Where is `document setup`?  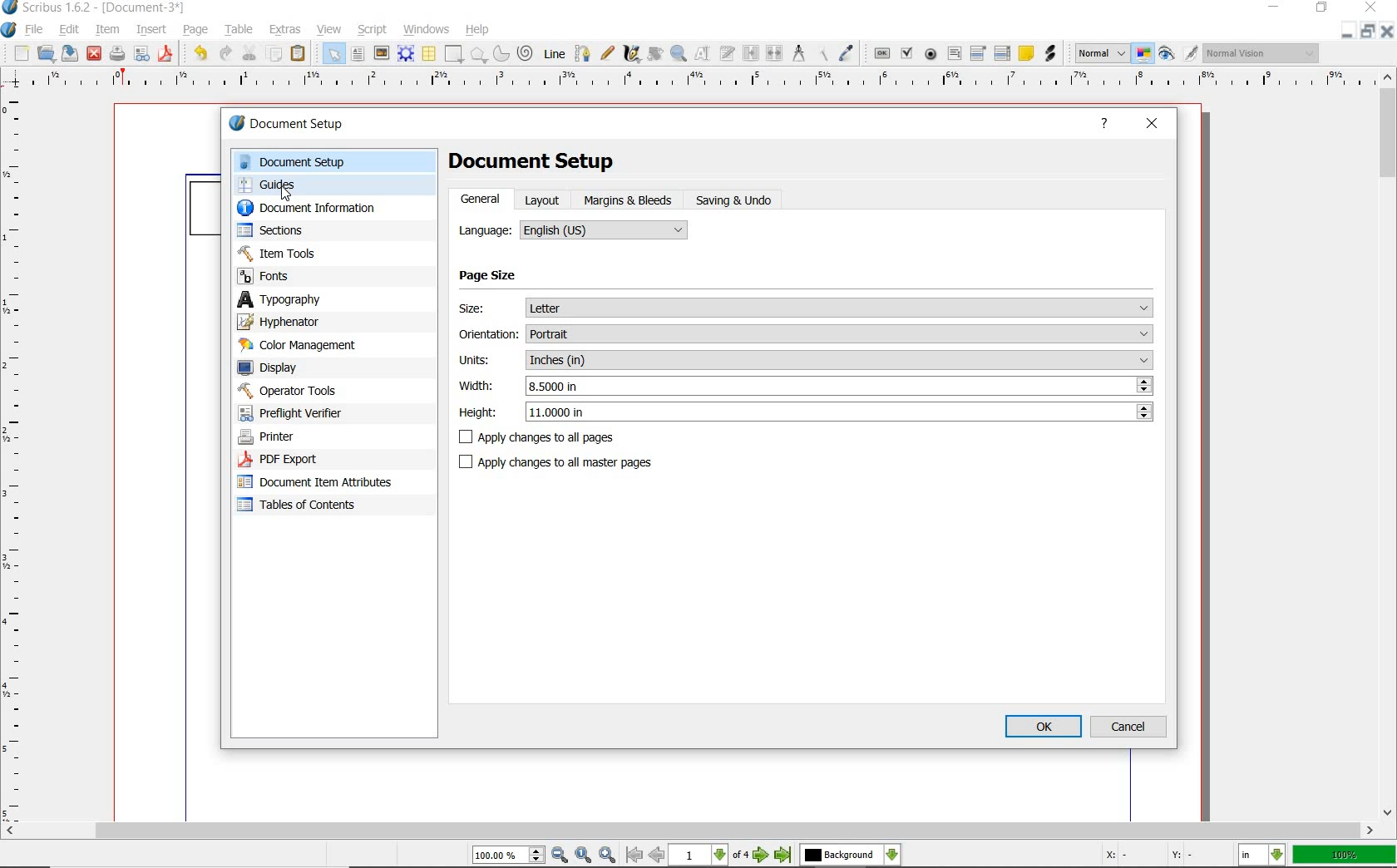 document setup is located at coordinates (332, 162).